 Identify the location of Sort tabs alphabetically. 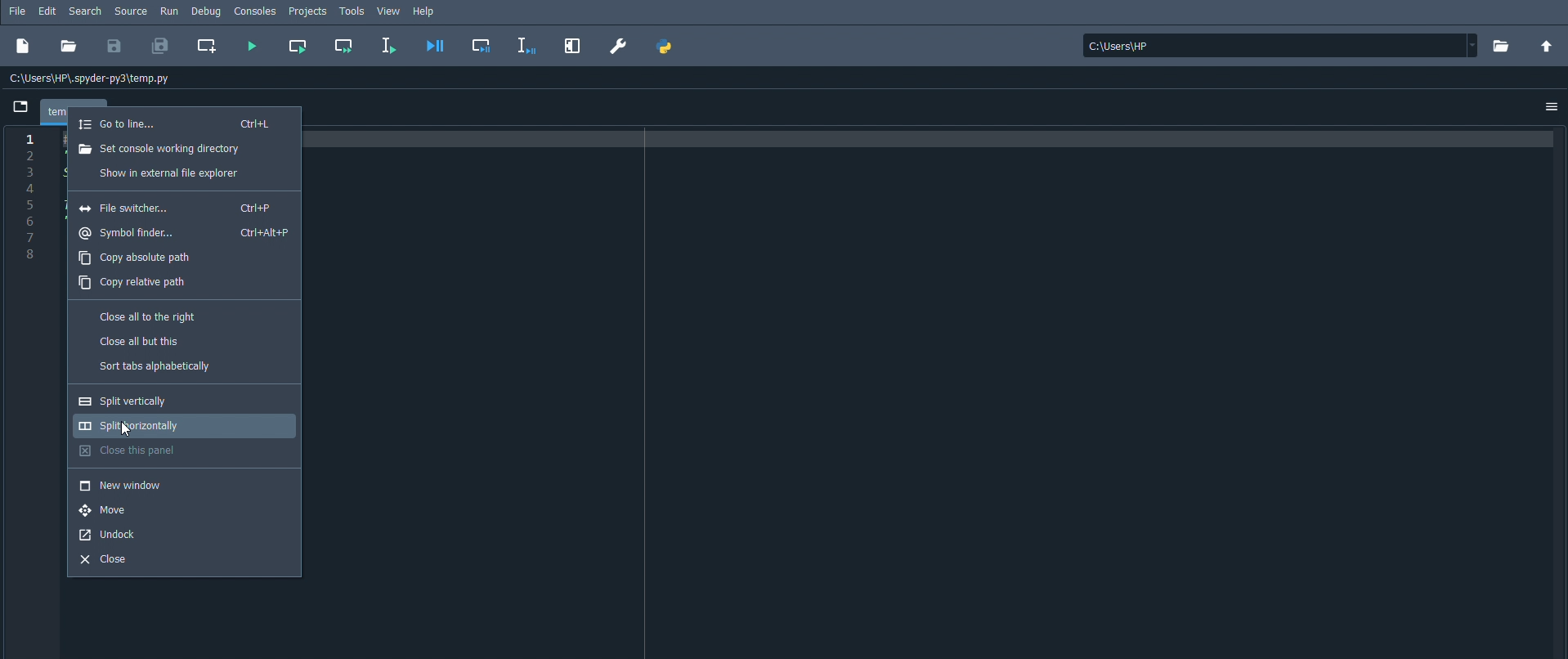
(156, 367).